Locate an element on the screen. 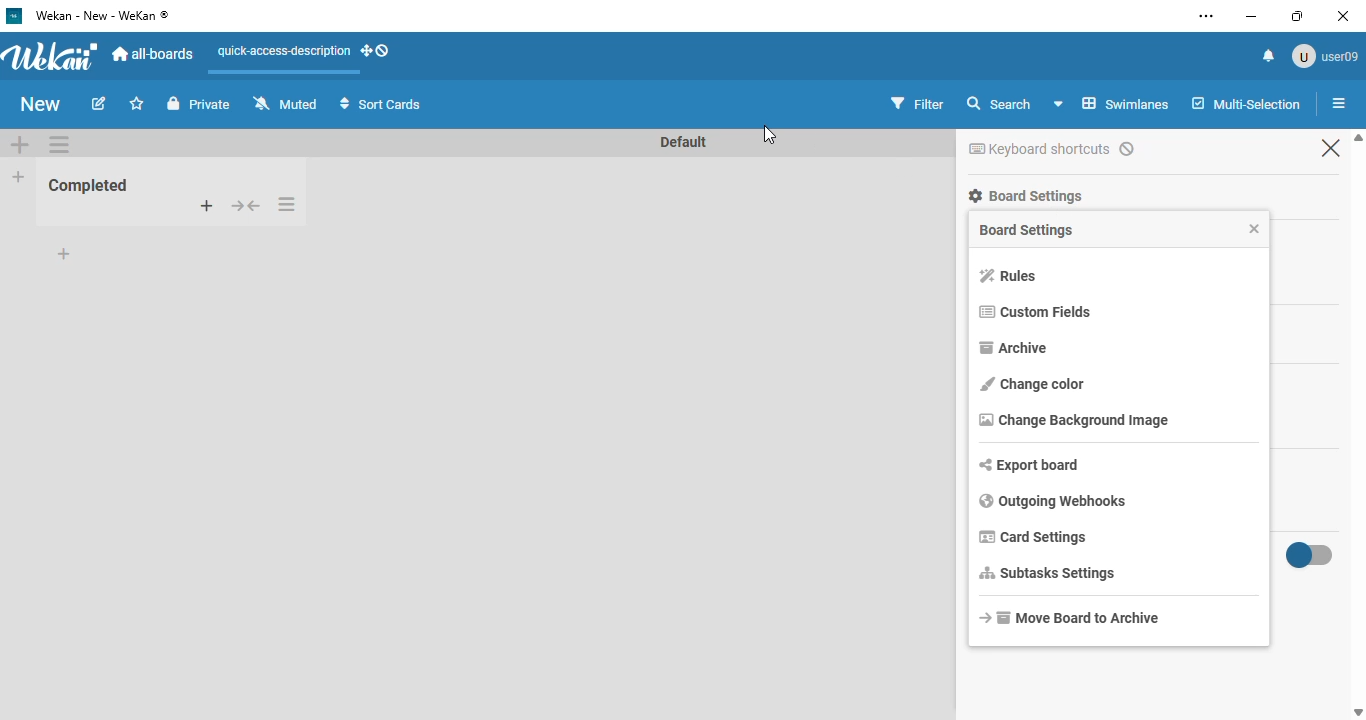 The image size is (1366, 720). settings and more is located at coordinates (1208, 16).